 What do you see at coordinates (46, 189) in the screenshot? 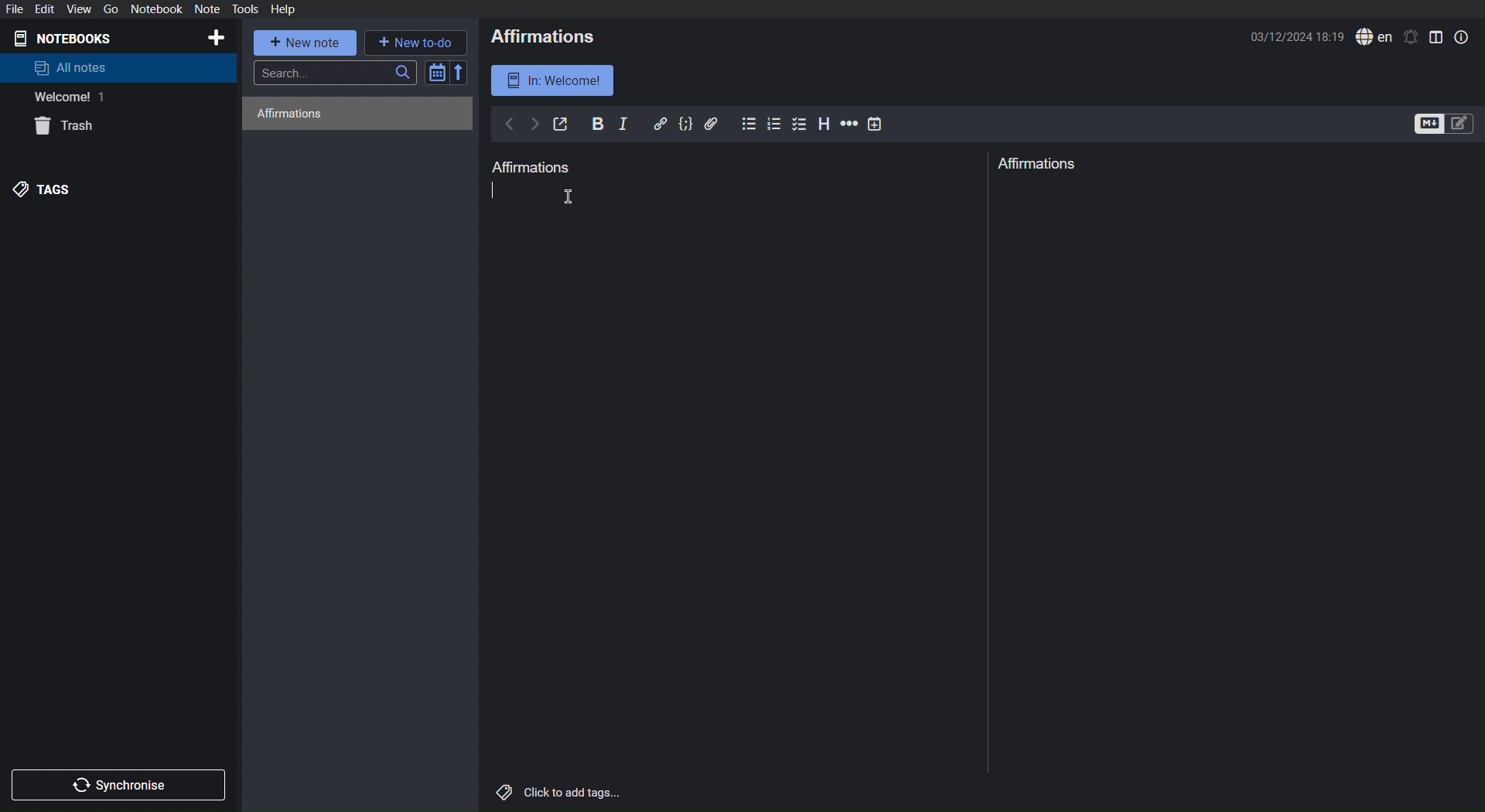
I see `Tags` at bounding box center [46, 189].